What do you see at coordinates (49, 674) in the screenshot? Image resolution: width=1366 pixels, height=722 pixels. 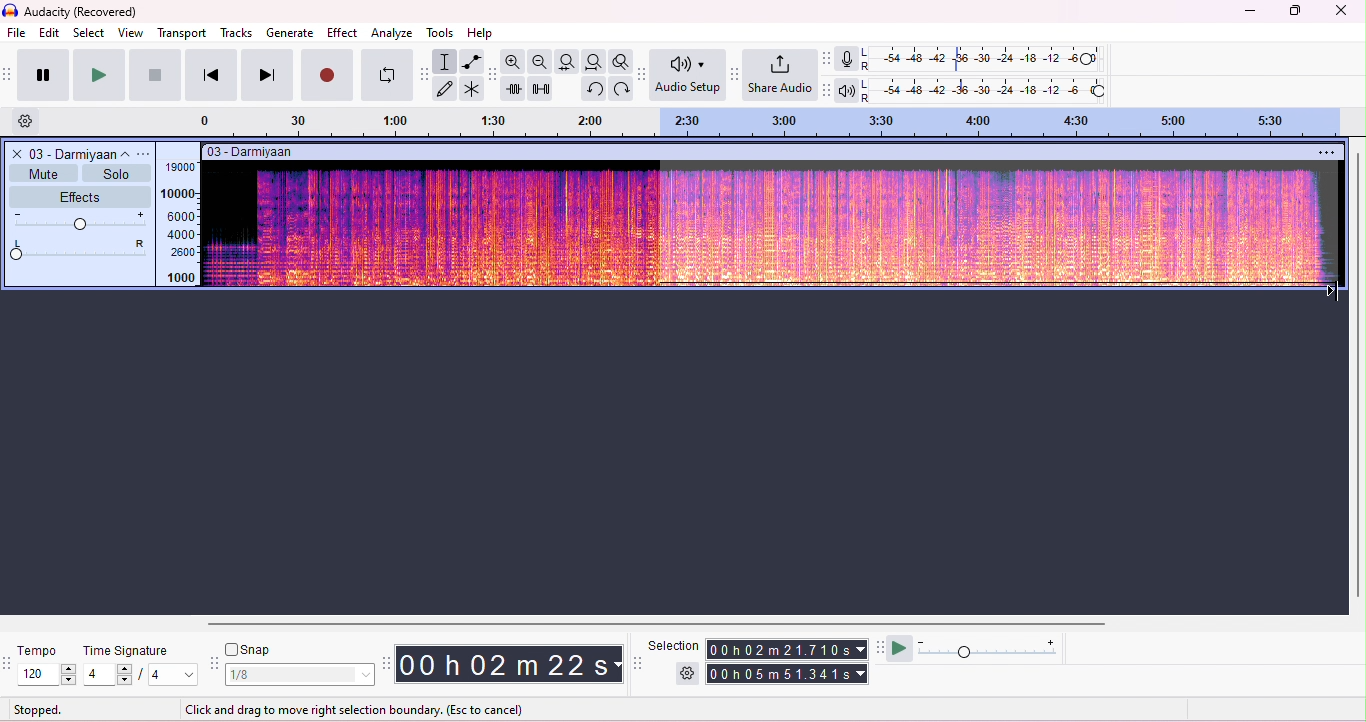 I see `tempo selection` at bounding box center [49, 674].